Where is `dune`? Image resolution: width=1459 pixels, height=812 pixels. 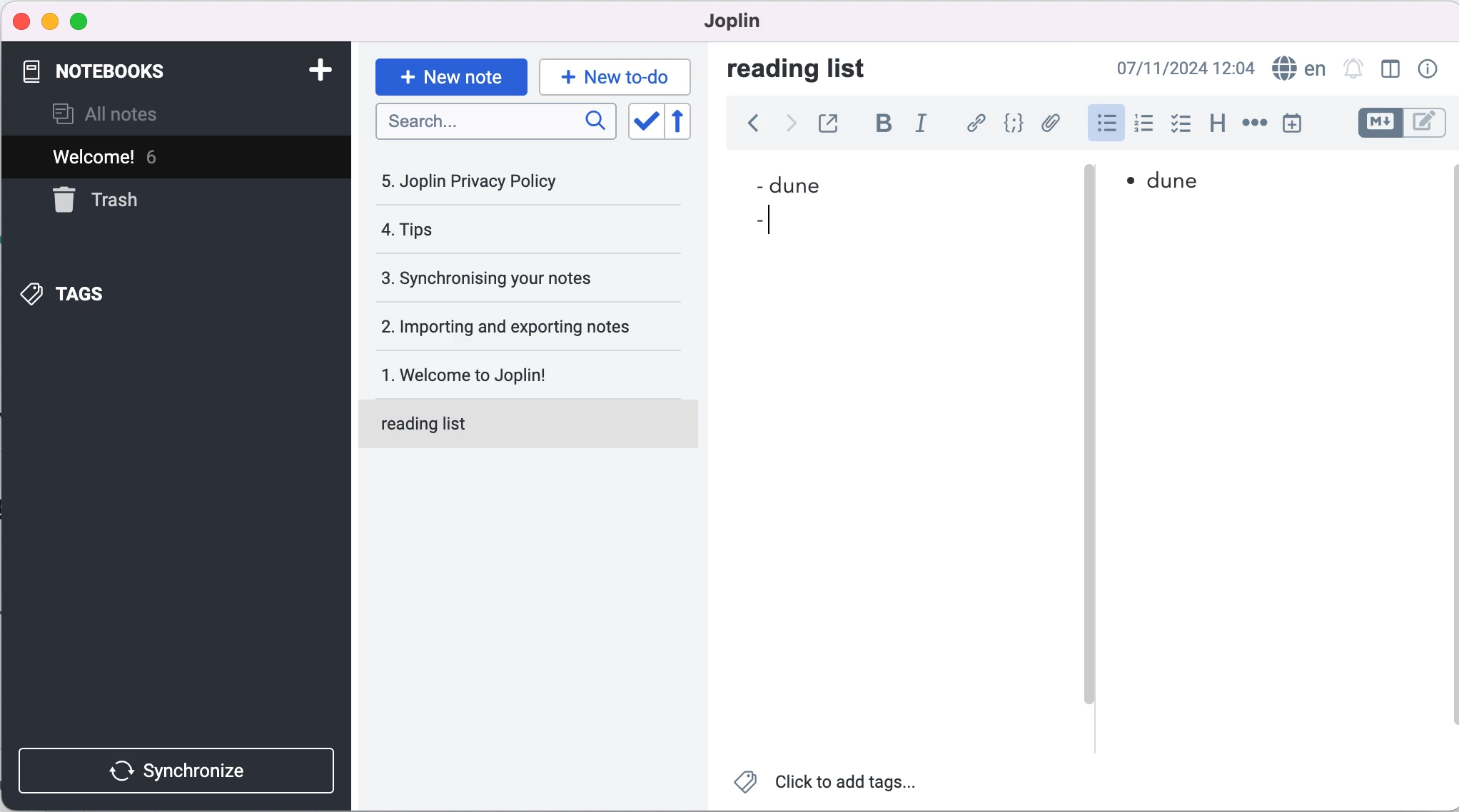 dune is located at coordinates (1187, 184).